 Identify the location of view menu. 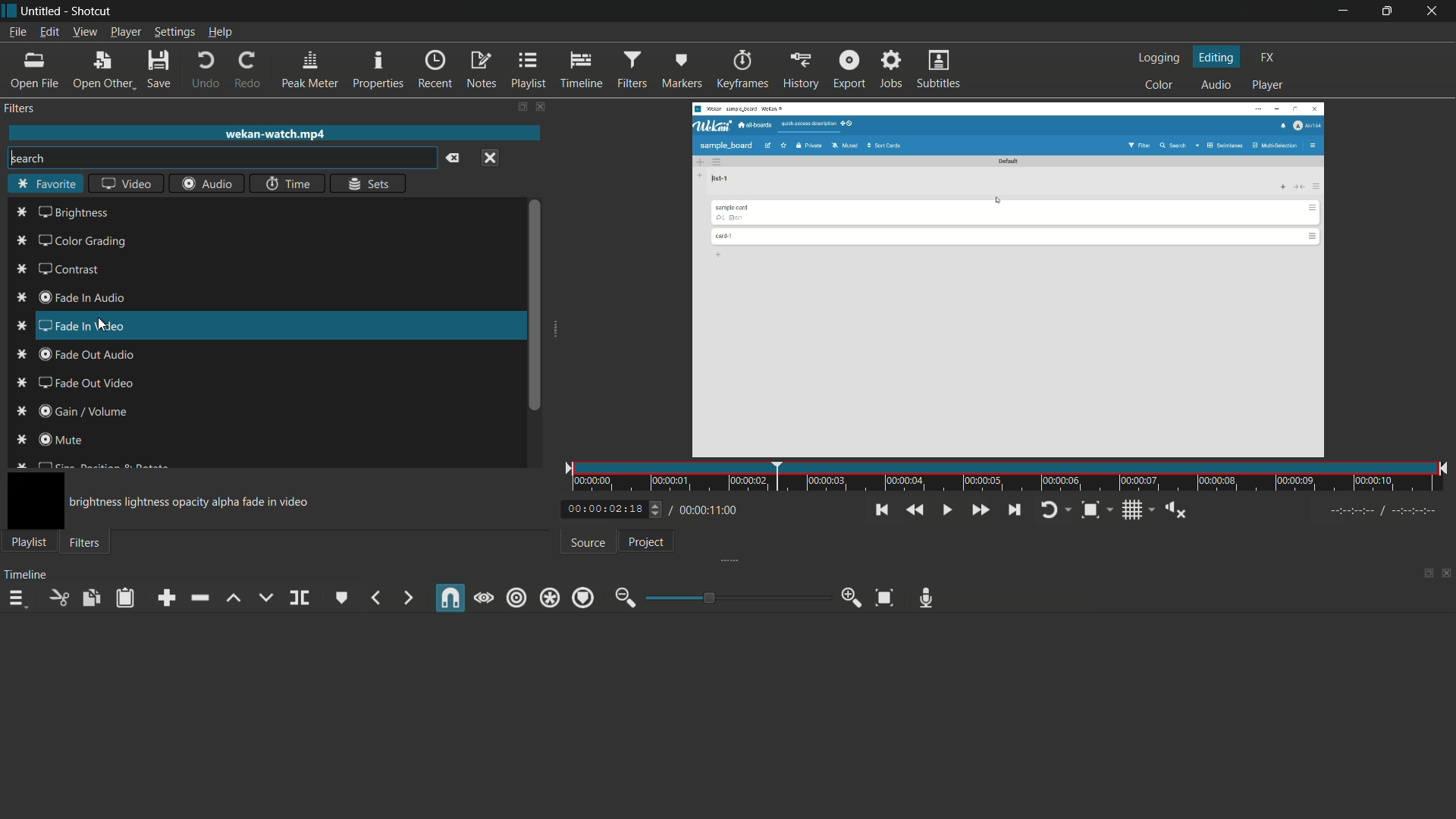
(85, 32).